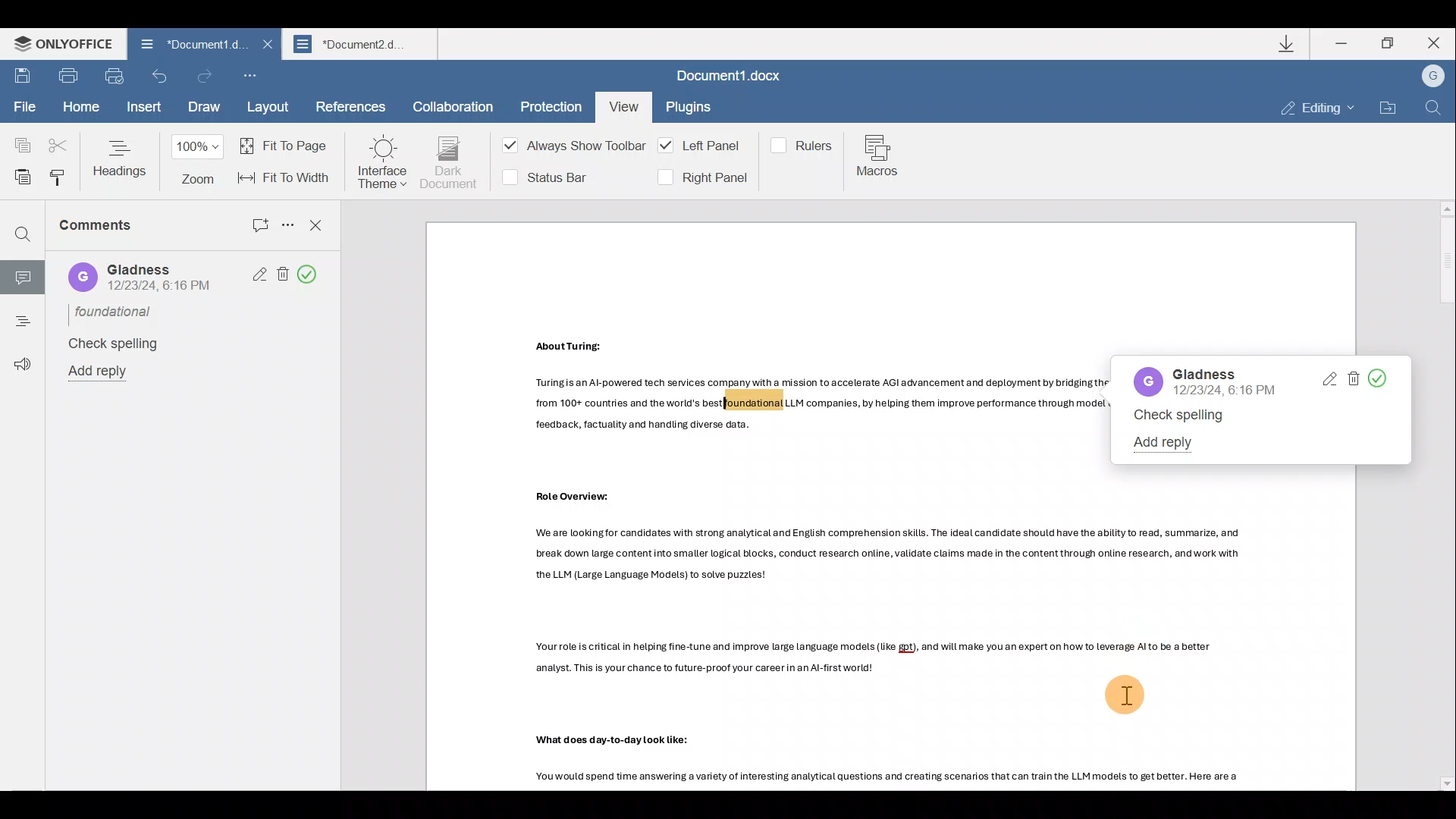 Image resolution: width=1456 pixels, height=819 pixels. I want to click on , so click(893, 780).